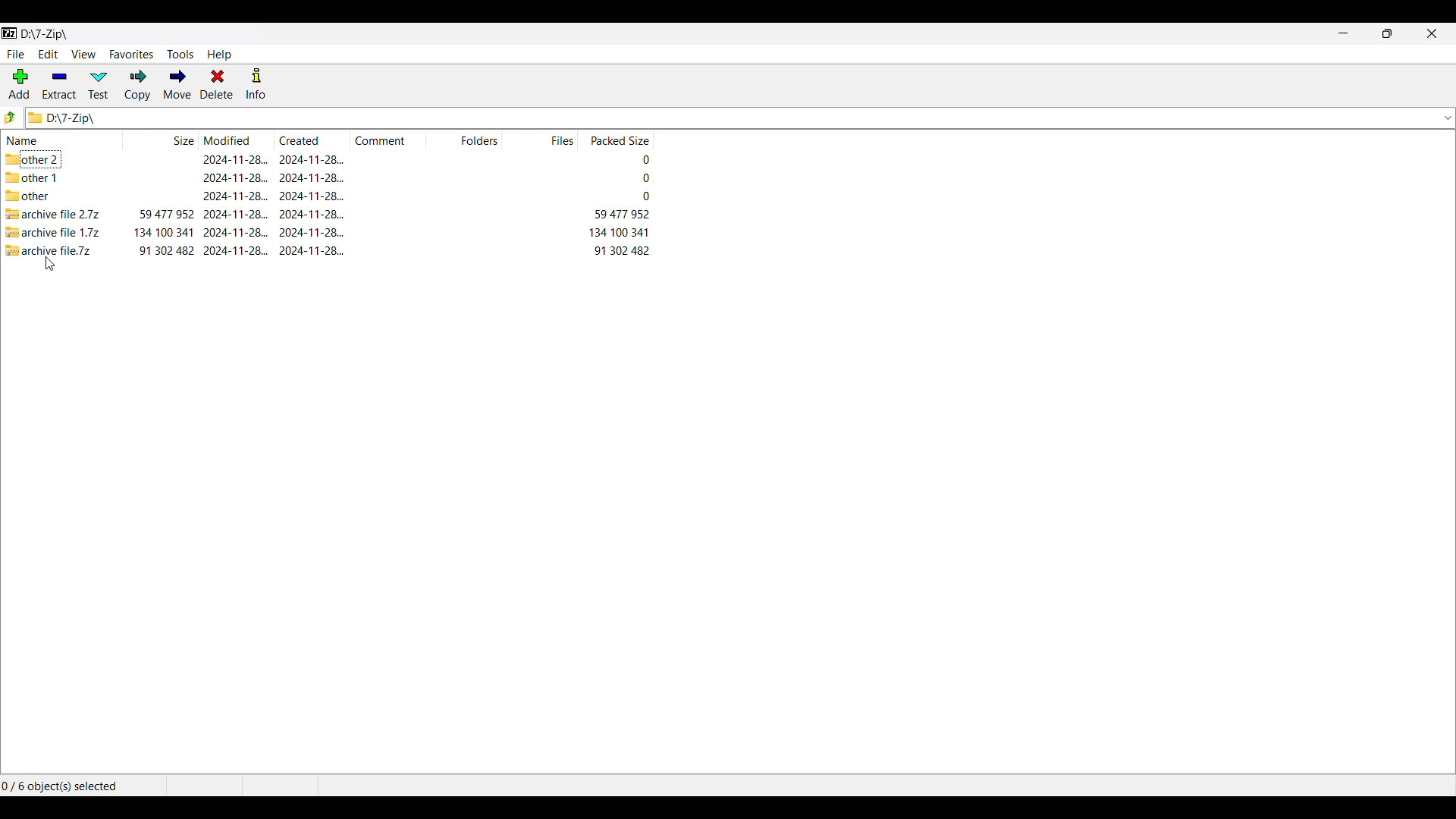 The height and width of the screenshot is (819, 1456). What do you see at coordinates (65, 786) in the screenshot?
I see `Selected files out of the total number of files in the folder` at bounding box center [65, 786].